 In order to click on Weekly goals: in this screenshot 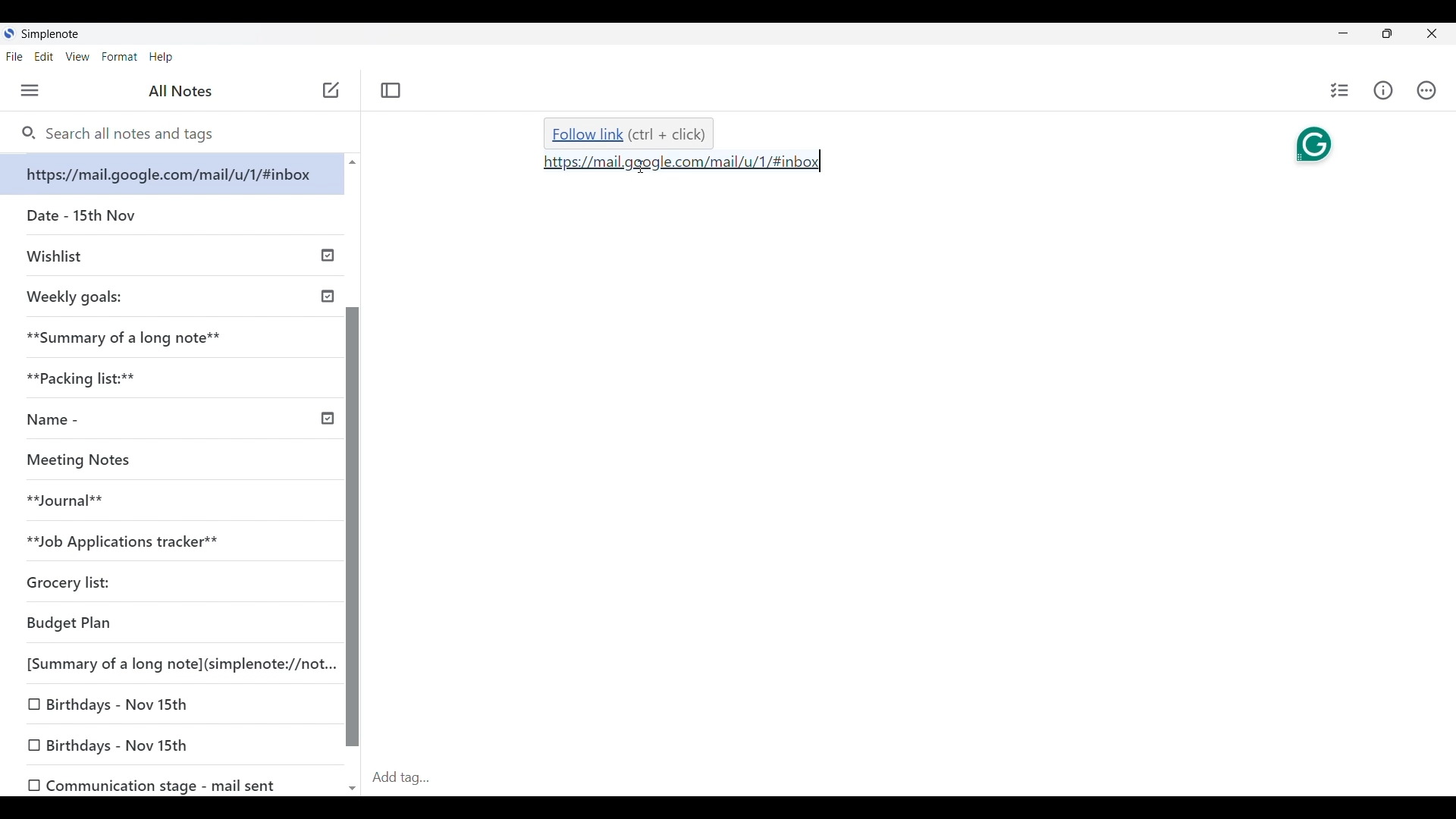, I will do `click(82, 297)`.